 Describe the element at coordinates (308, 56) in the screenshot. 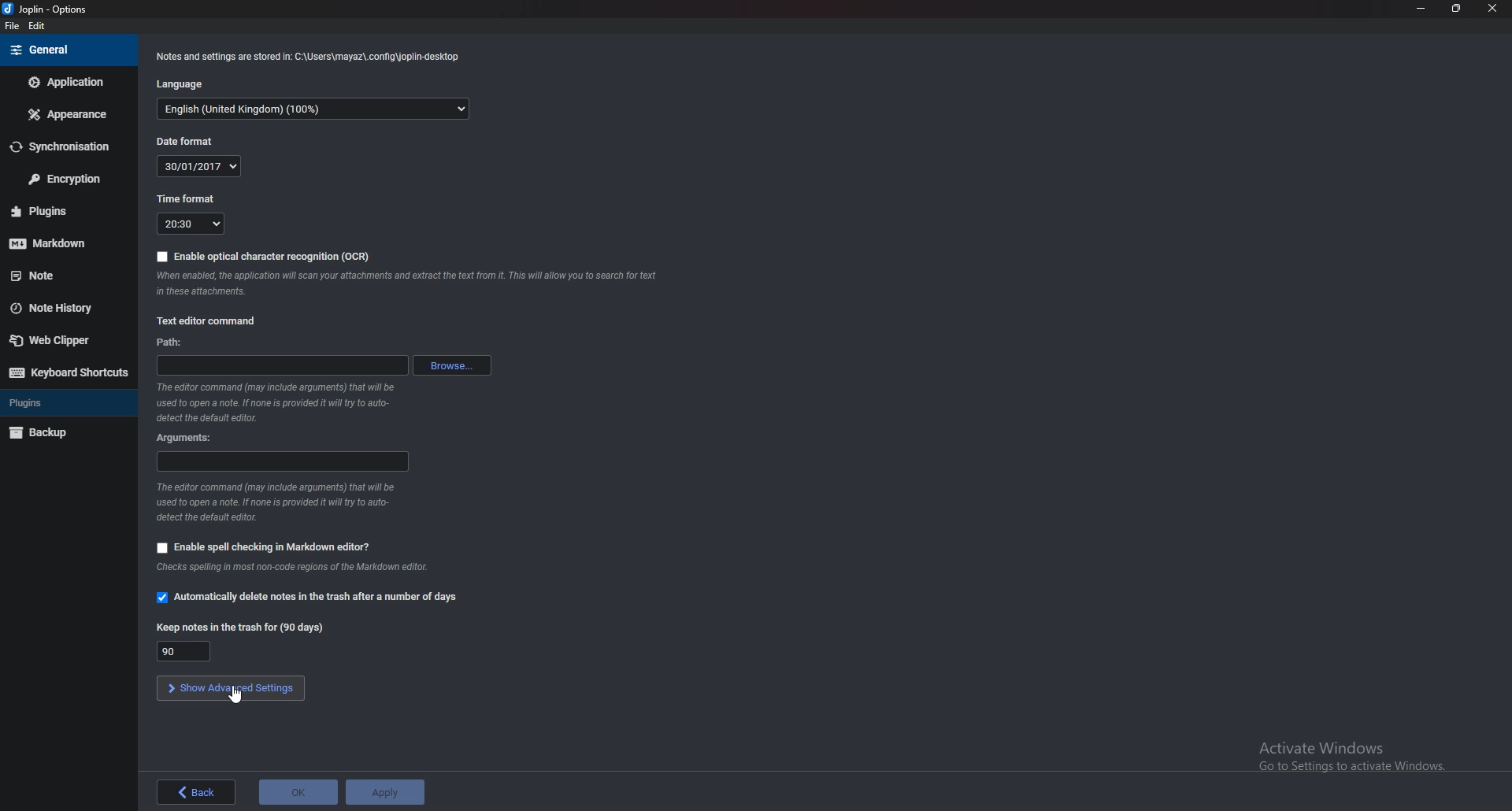

I see `info` at that location.